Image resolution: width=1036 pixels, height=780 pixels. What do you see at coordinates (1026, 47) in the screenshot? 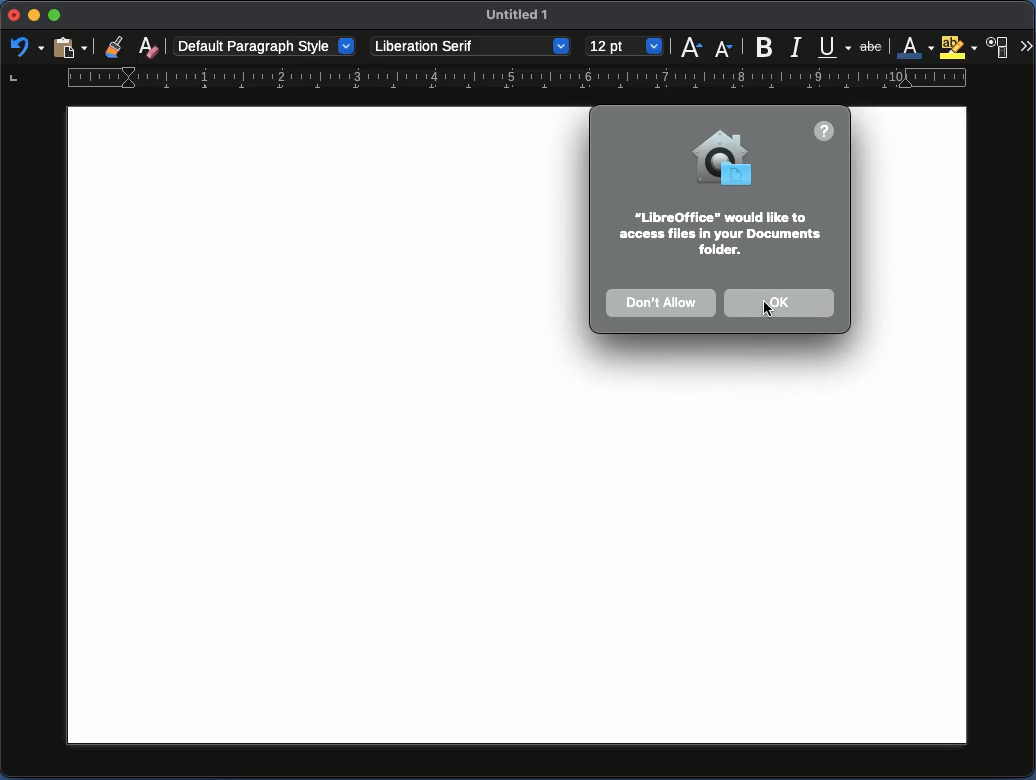
I see `More` at bounding box center [1026, 47].